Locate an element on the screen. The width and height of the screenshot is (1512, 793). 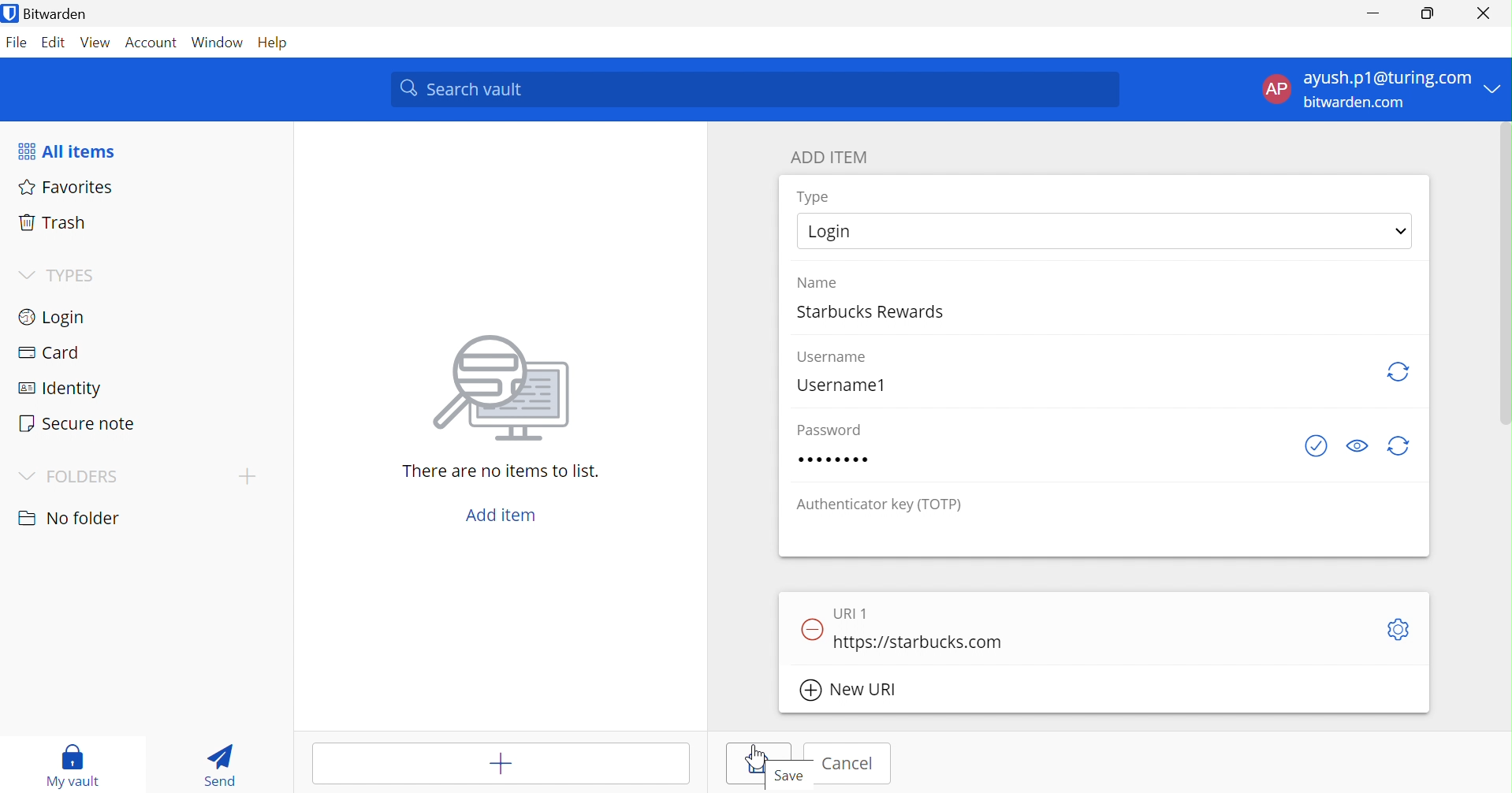
Card is located at coordinates (50, 352).